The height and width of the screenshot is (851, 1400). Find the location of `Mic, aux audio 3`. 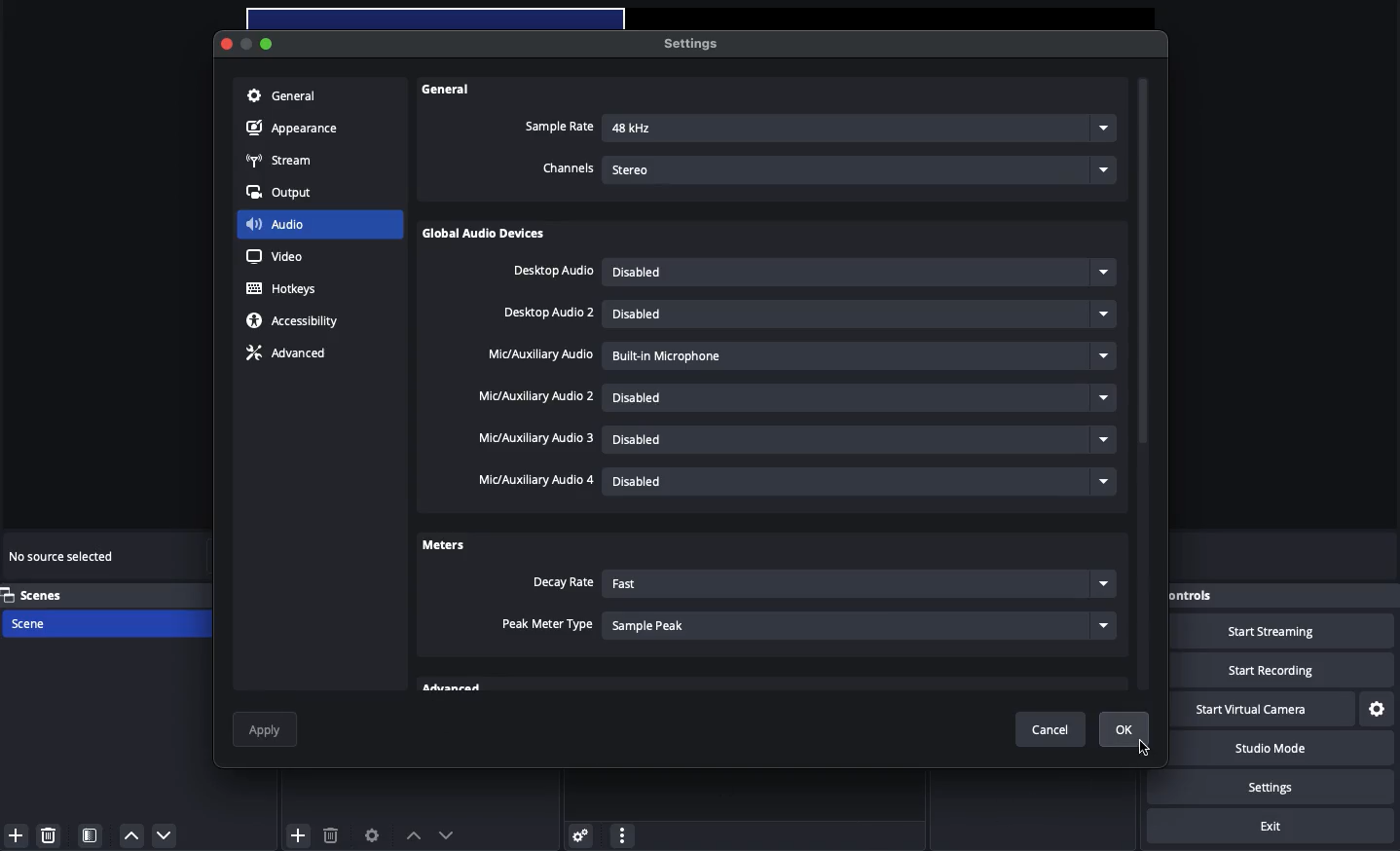

Mic, aux audio 3 is located at coordinates (537, 439).